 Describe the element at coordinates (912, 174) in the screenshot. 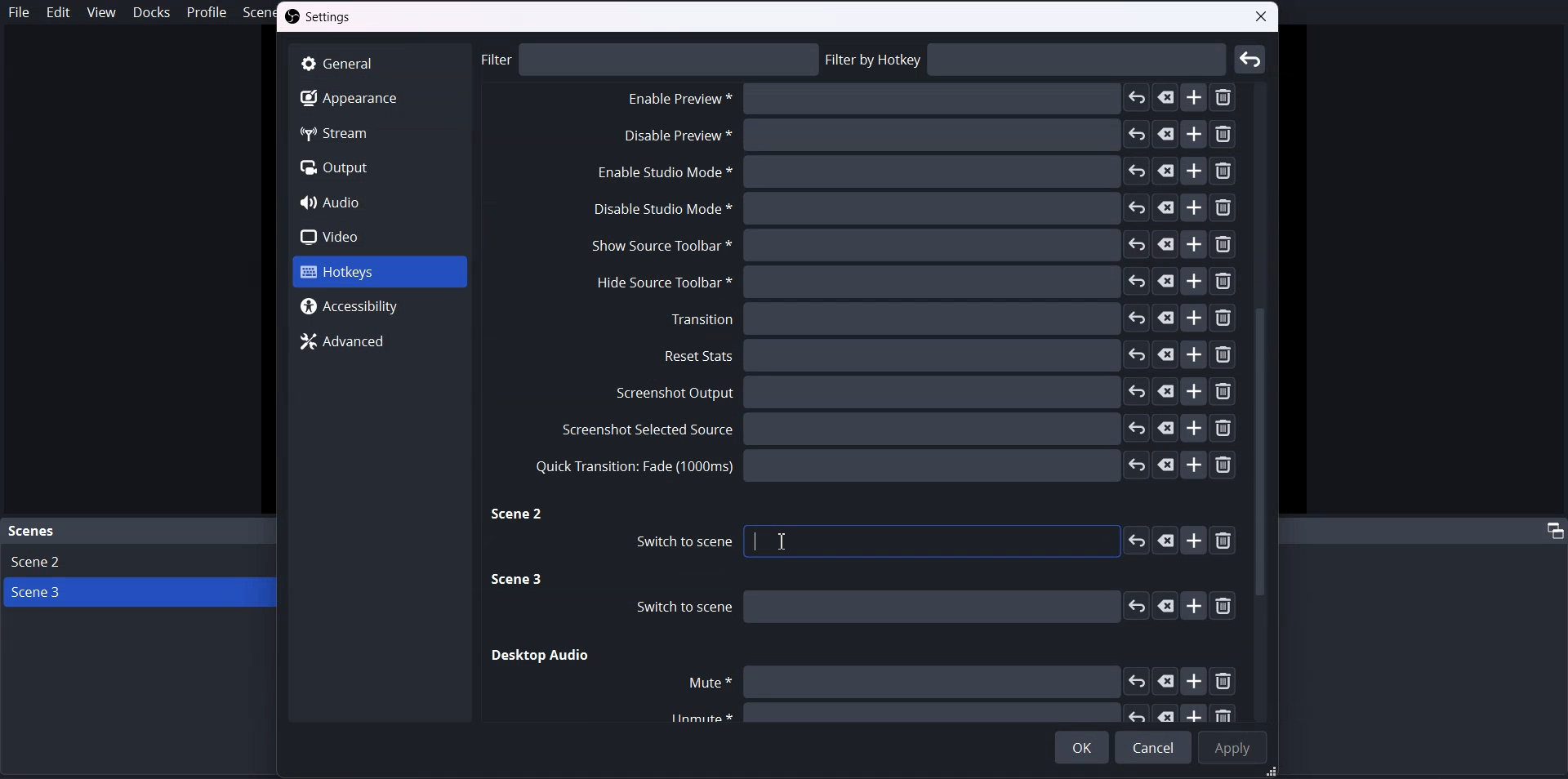

I see `Enable Studio Mode` at that location.